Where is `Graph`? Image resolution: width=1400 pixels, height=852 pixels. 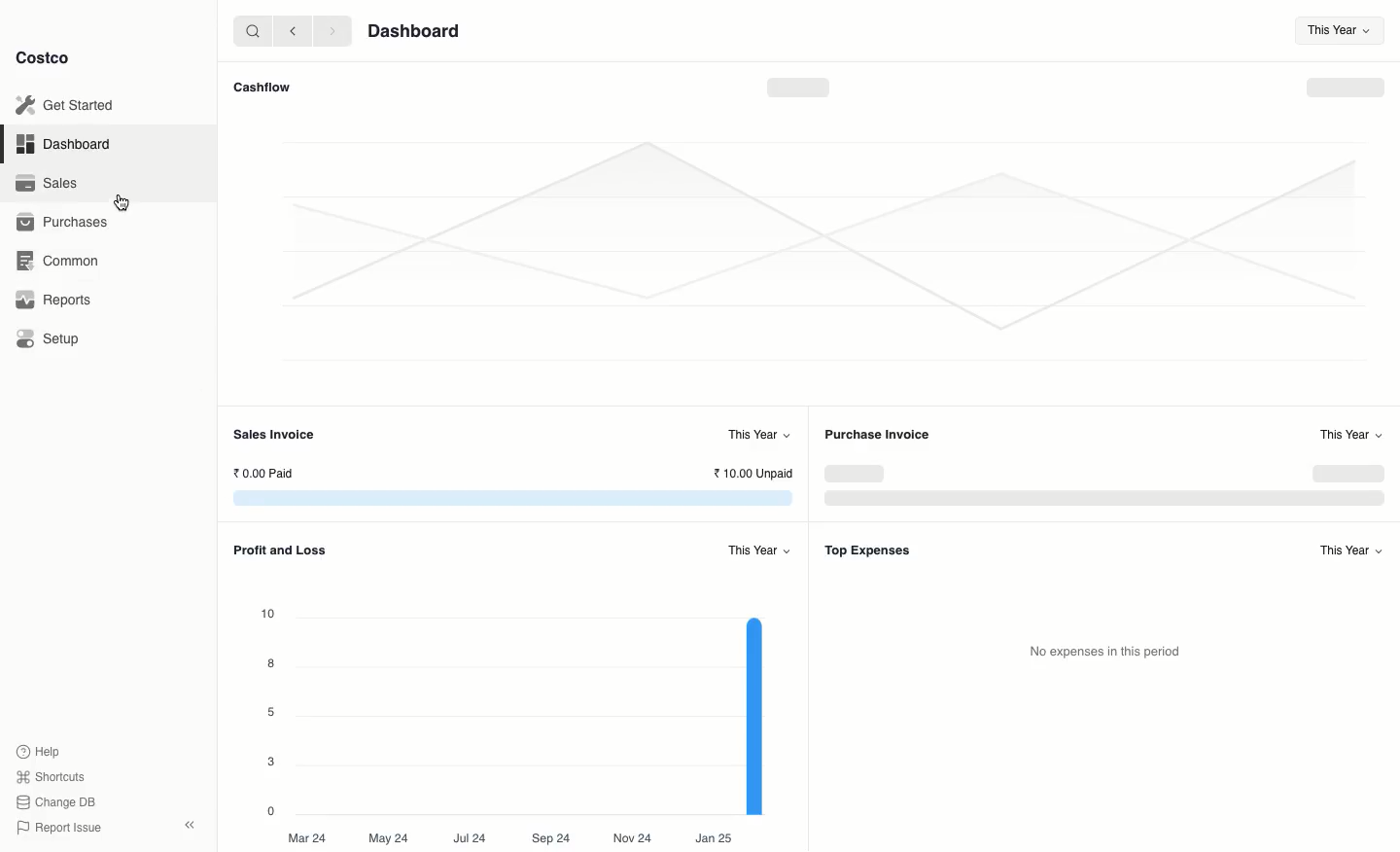 Graph is located at coordinates (803, 215).